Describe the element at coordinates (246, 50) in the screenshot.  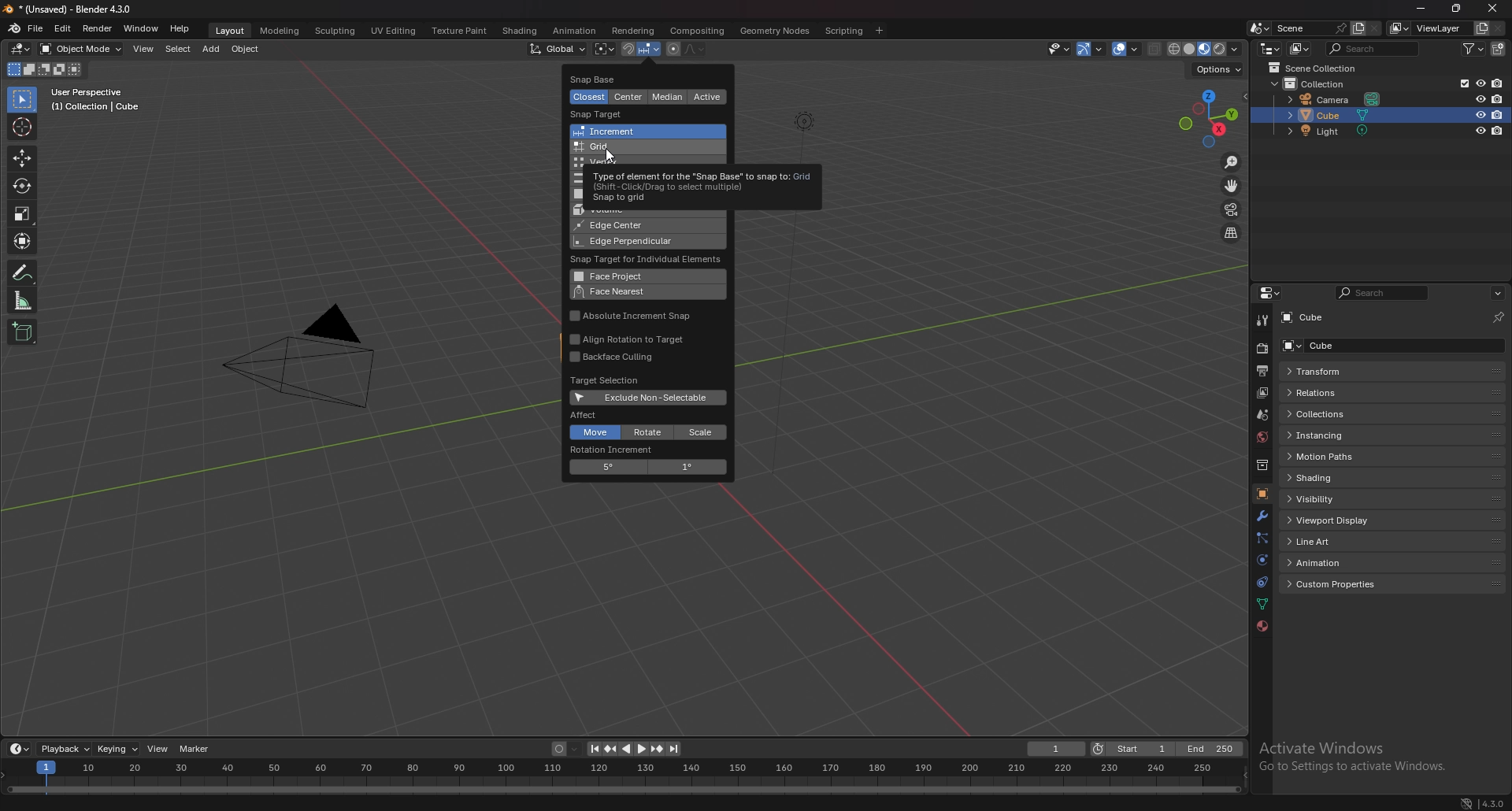
I see `object` at that location.